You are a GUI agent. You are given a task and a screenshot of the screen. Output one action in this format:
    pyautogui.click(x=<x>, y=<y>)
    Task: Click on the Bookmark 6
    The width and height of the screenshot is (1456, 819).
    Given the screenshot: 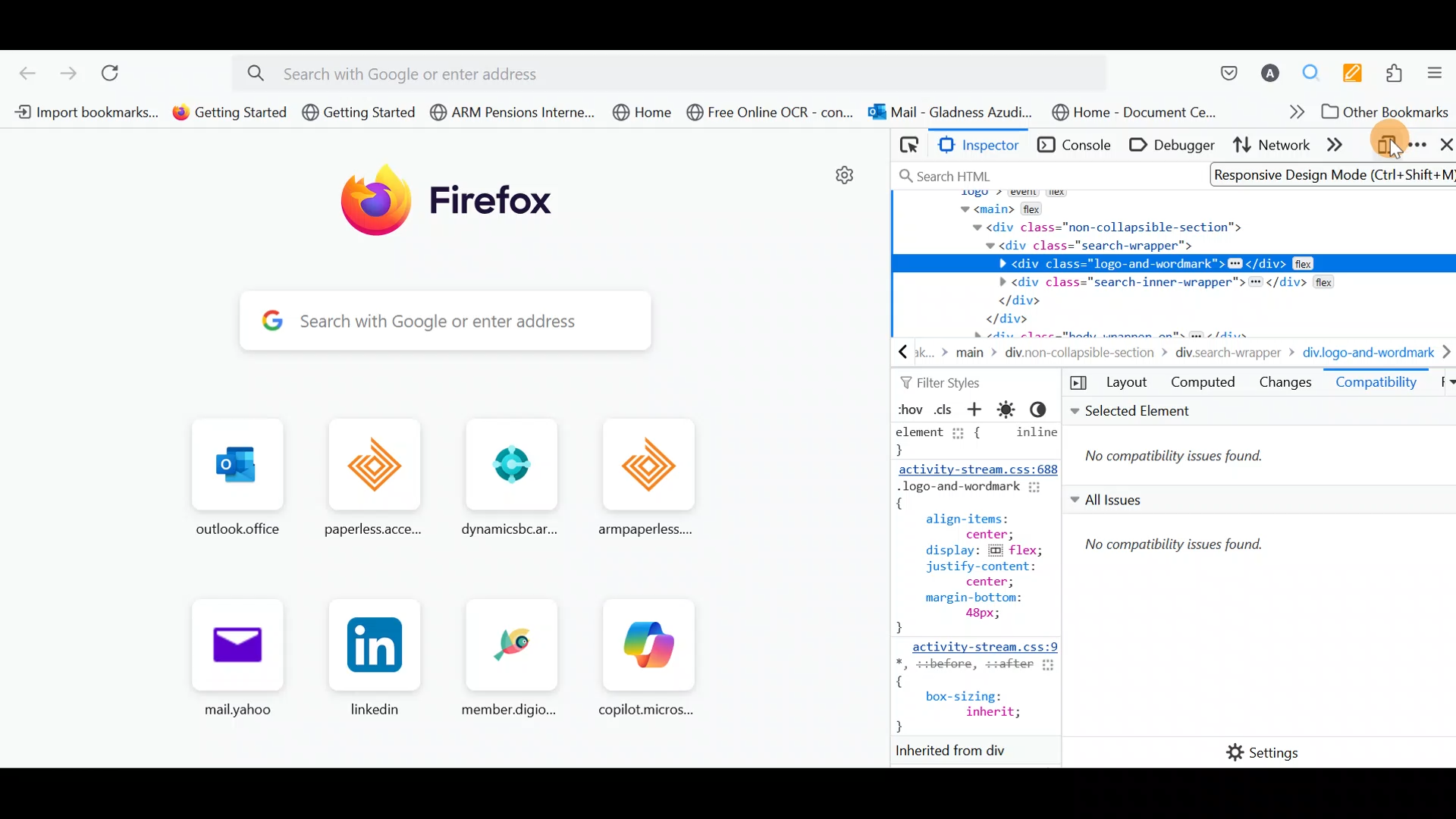 What is the action you would take?
    pyautogui.click(x=772, y=114)
    